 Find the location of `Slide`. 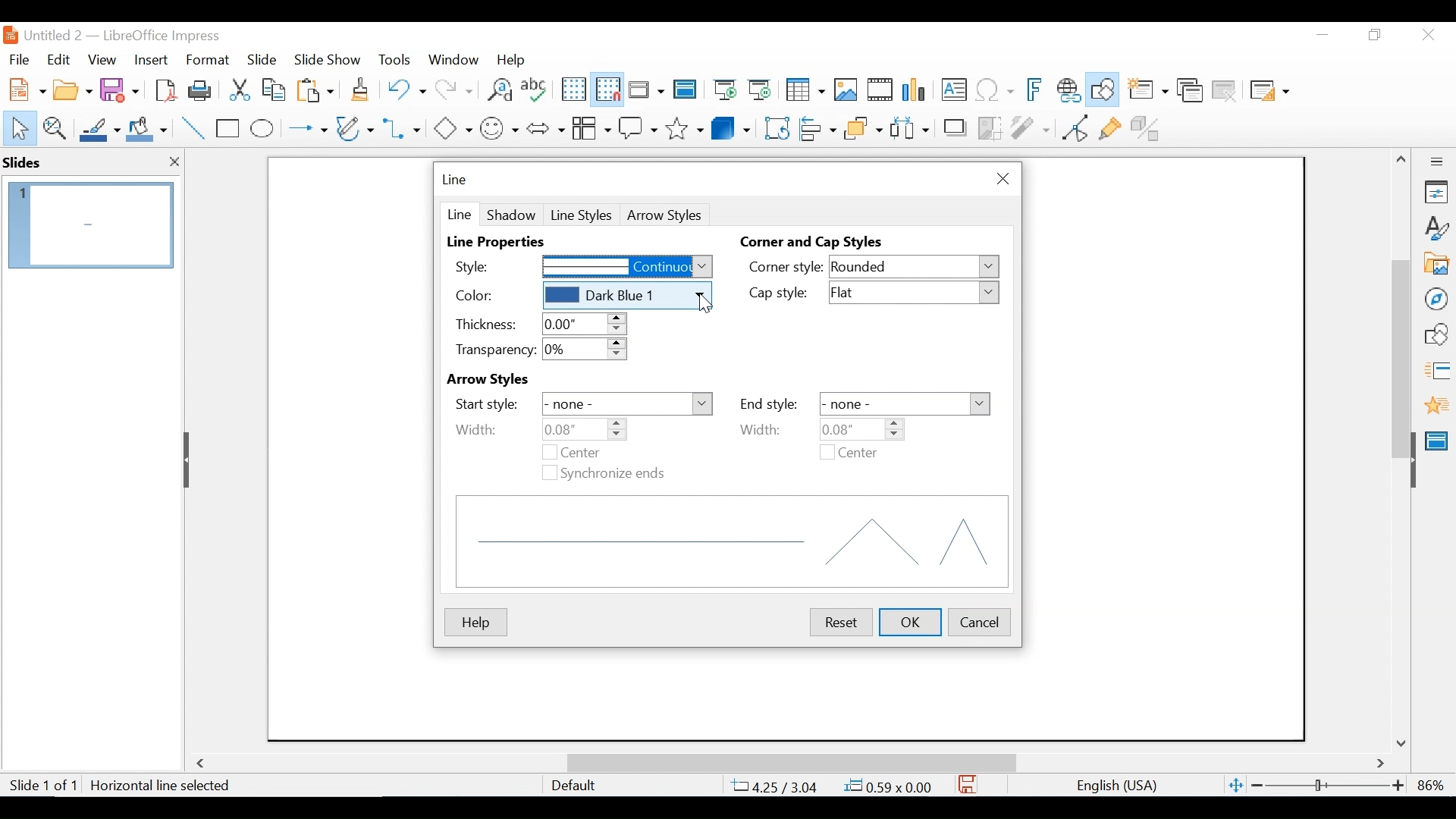

Slide is located at coordinates (262, 58).